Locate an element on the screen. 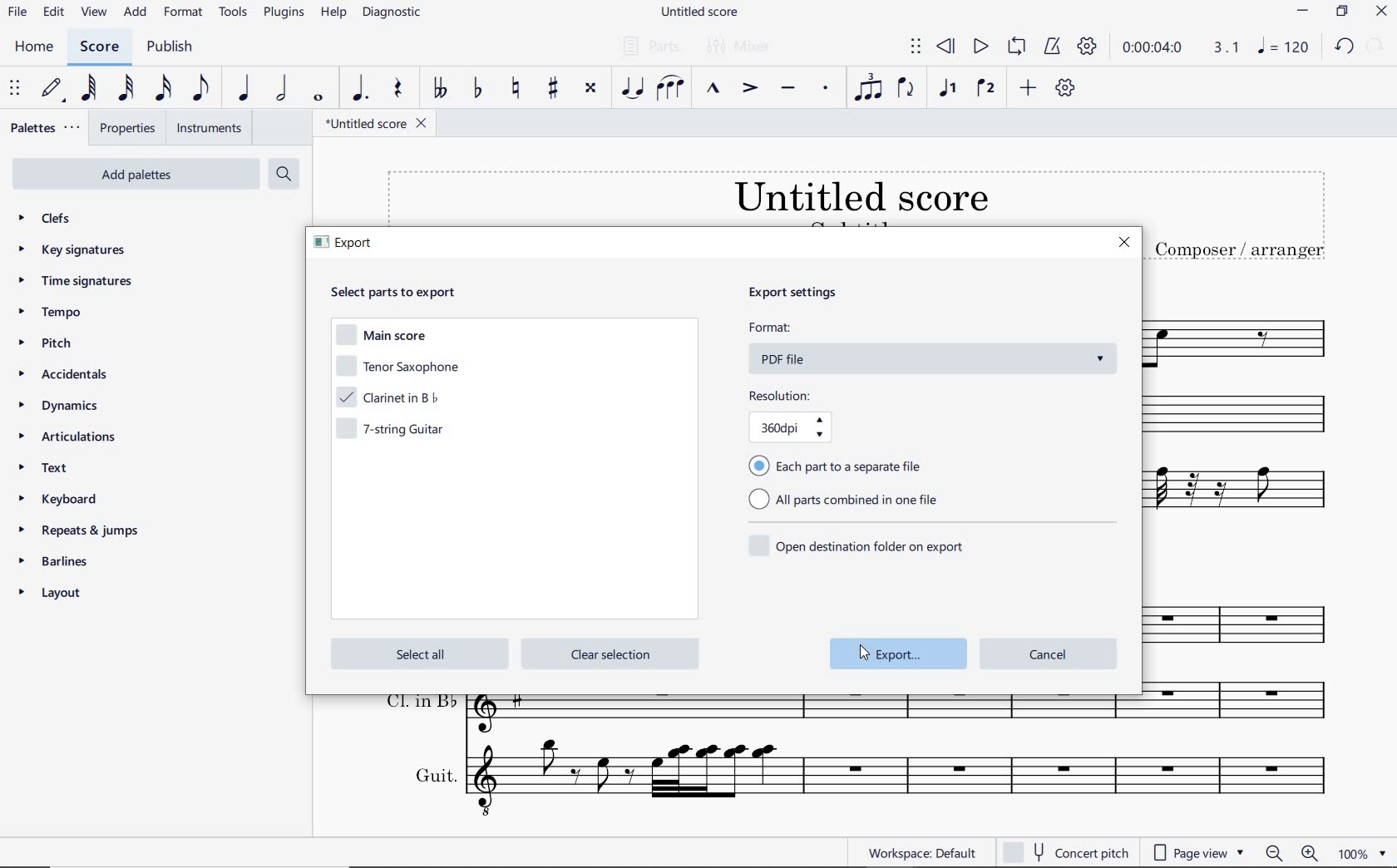  NOTE is located at coordinates (1283, 46).